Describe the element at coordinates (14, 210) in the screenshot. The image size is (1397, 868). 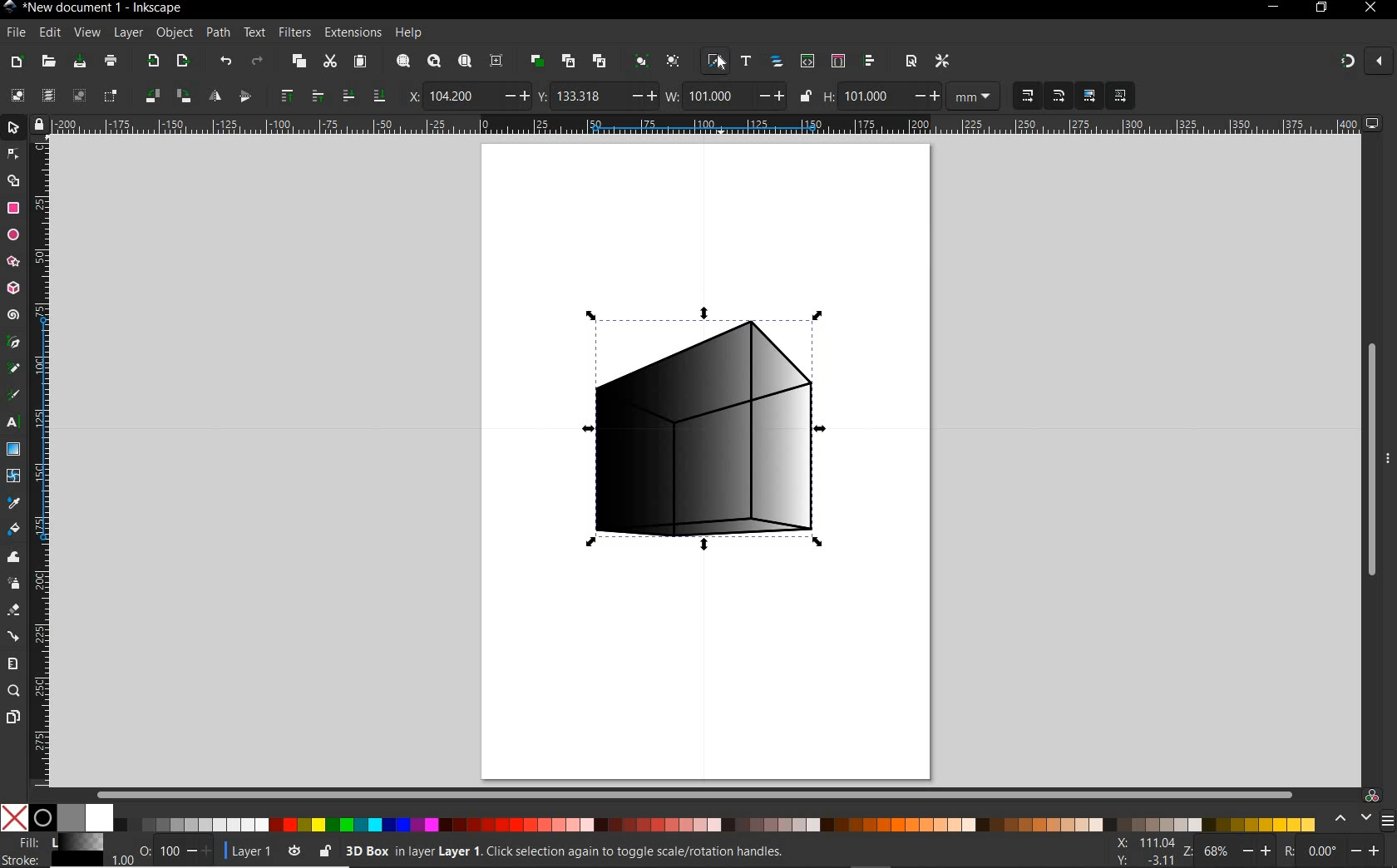
I see `RECTANGLE TOOL` at that location.